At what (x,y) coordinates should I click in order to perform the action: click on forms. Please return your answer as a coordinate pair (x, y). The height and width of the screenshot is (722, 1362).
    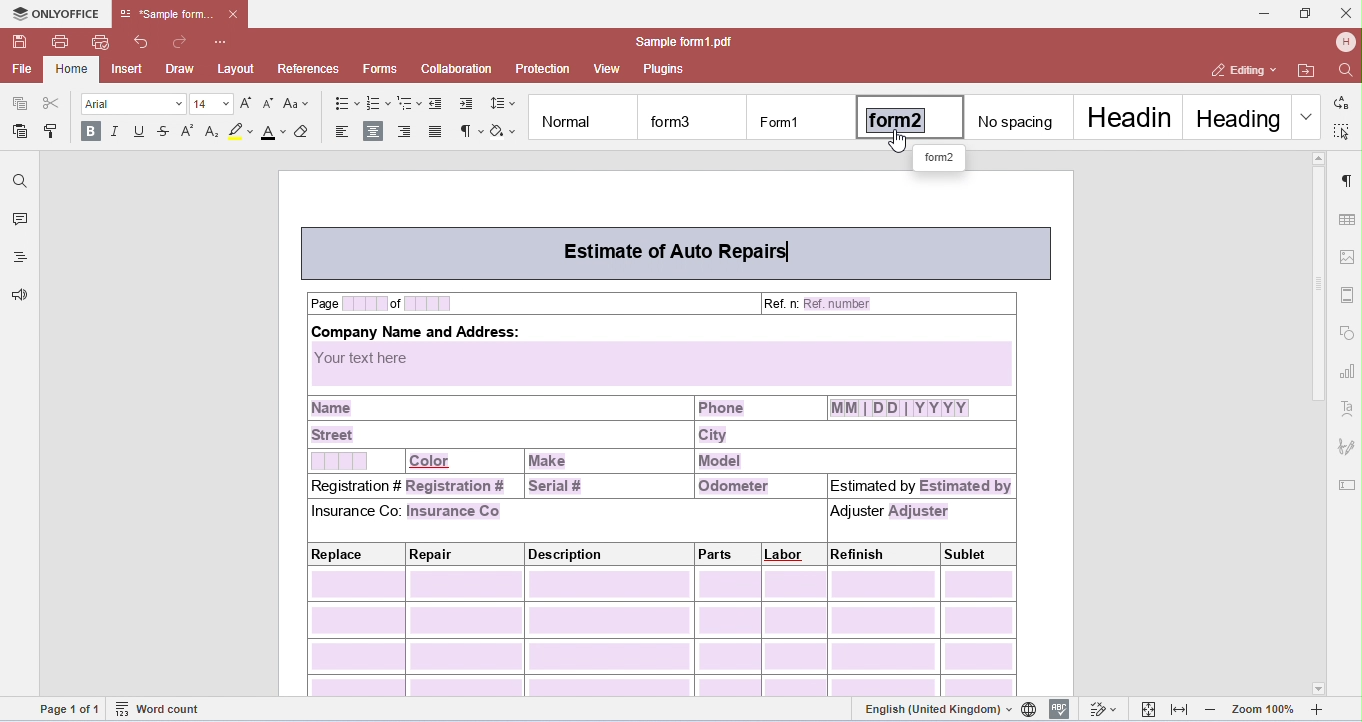
    Looking at the image, I should click on (381, 69).